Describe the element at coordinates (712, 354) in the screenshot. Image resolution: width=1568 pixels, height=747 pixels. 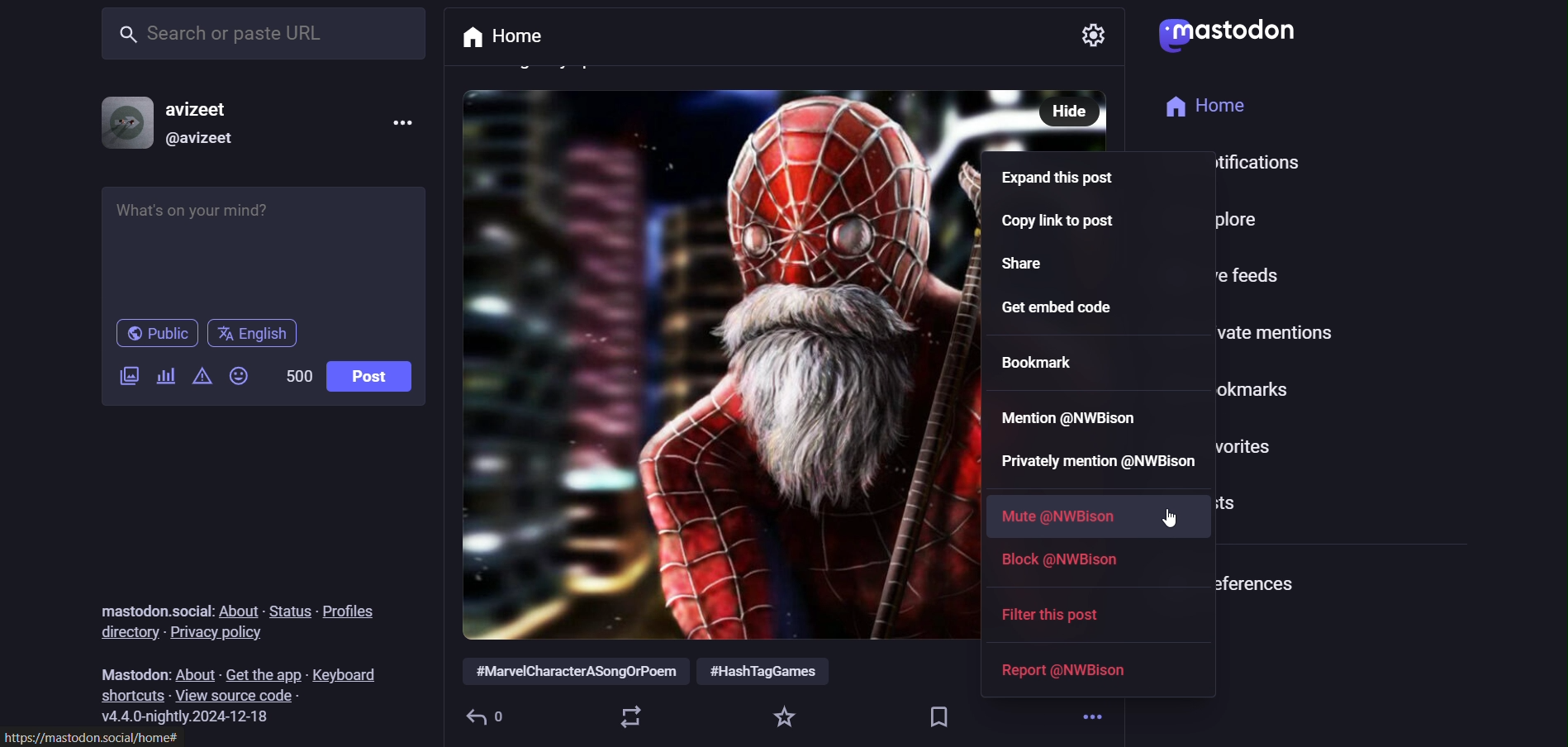
I see `image` at that location.